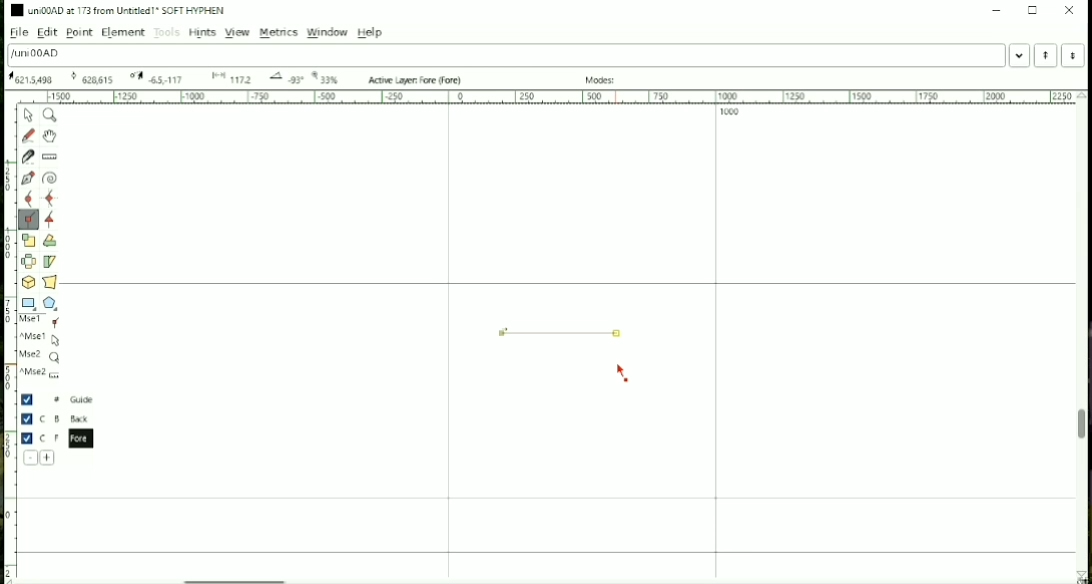  What do you see at coordinates (29, 178) in the screenshot?
I see `Add a point, then drag out its control points` at bounding box center [29, 178].